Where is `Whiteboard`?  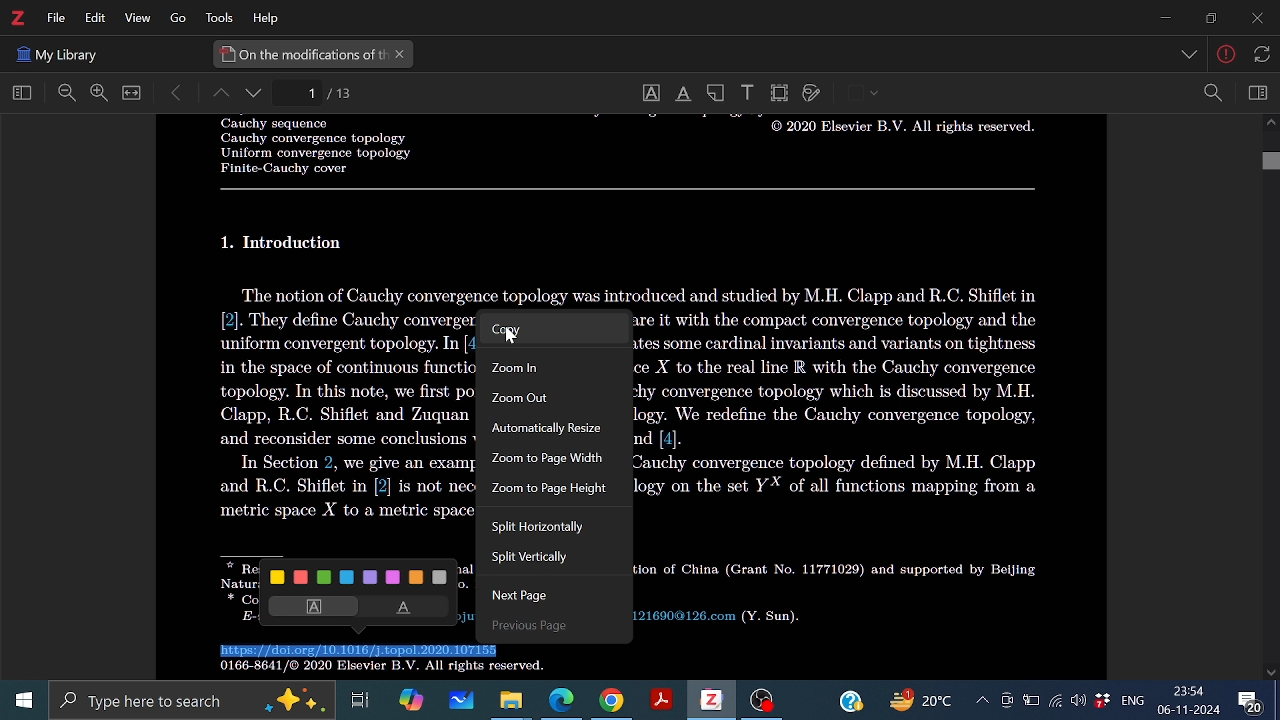
Whiteboard is located at coordinates (459, 701).